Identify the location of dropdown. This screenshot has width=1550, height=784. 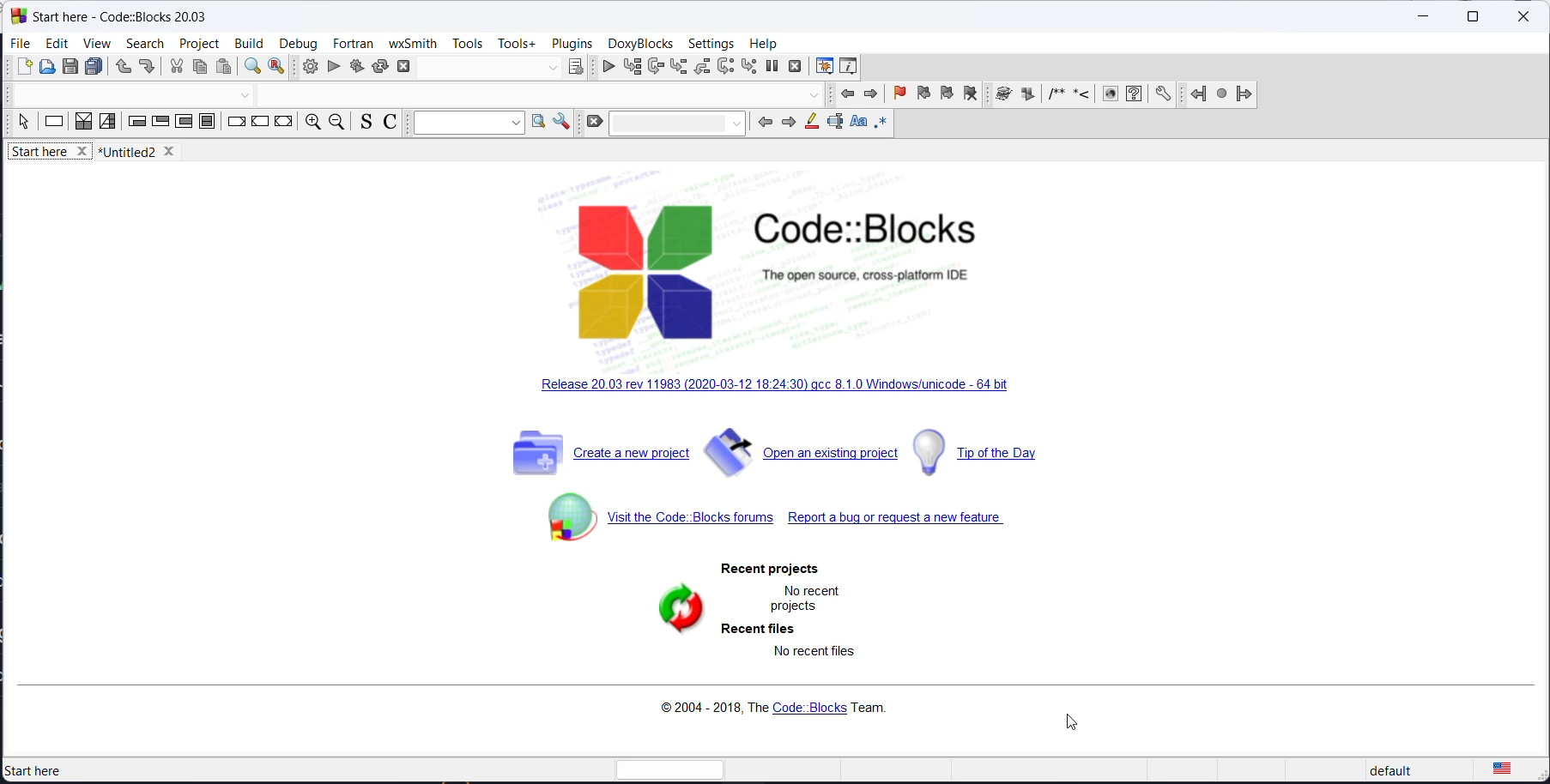
(465, 124).